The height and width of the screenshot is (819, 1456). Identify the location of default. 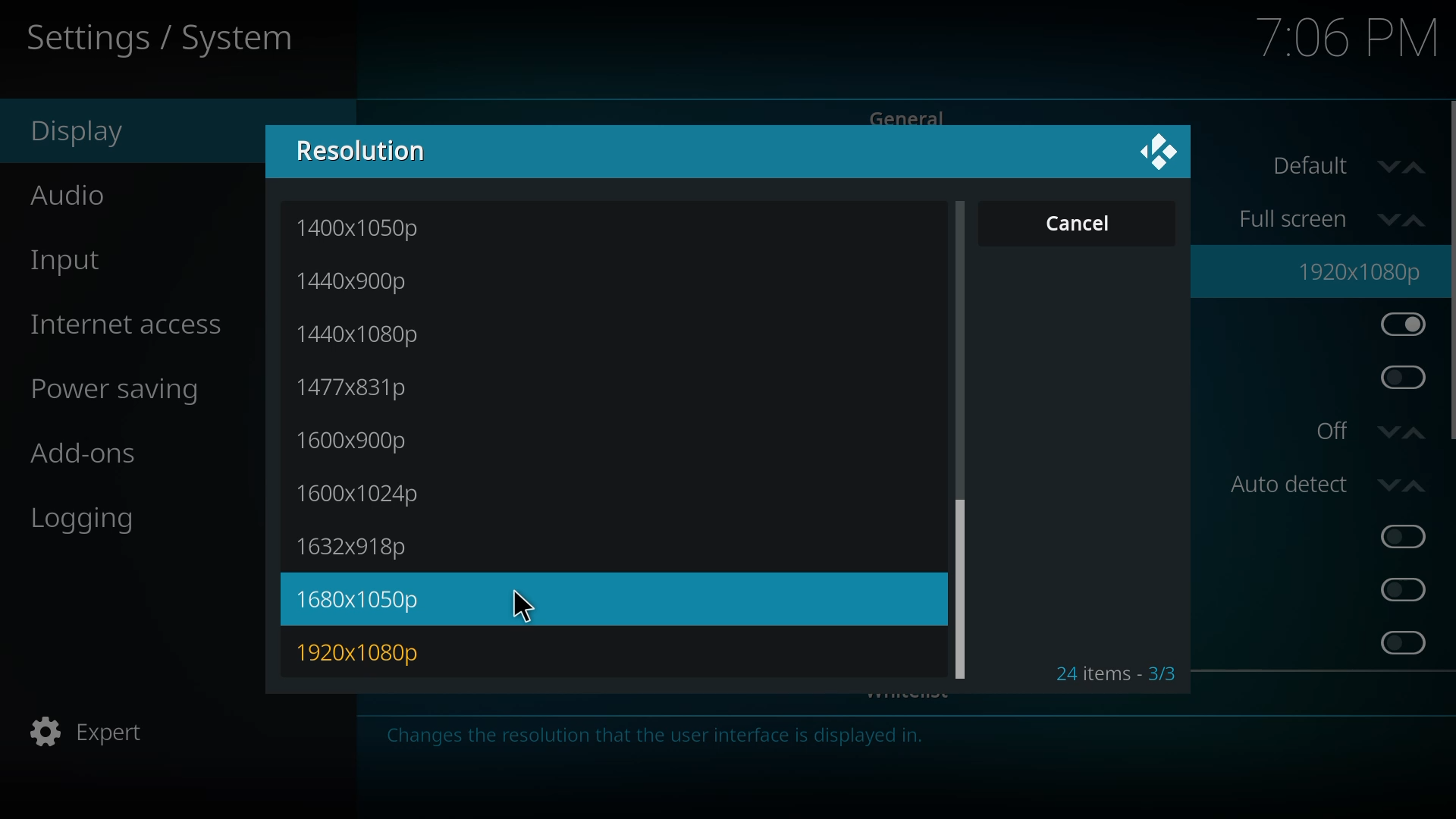
(1344, 168).